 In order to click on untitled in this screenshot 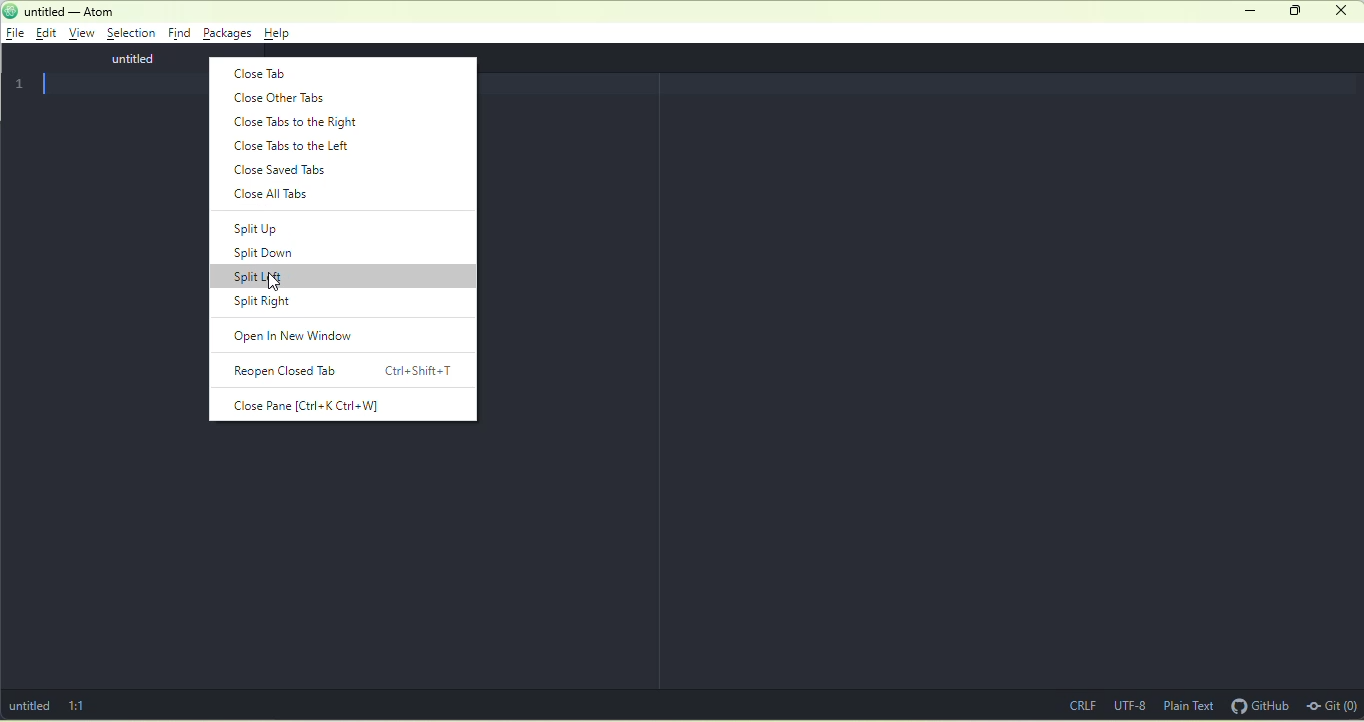, I will do `click(29, 706)`.